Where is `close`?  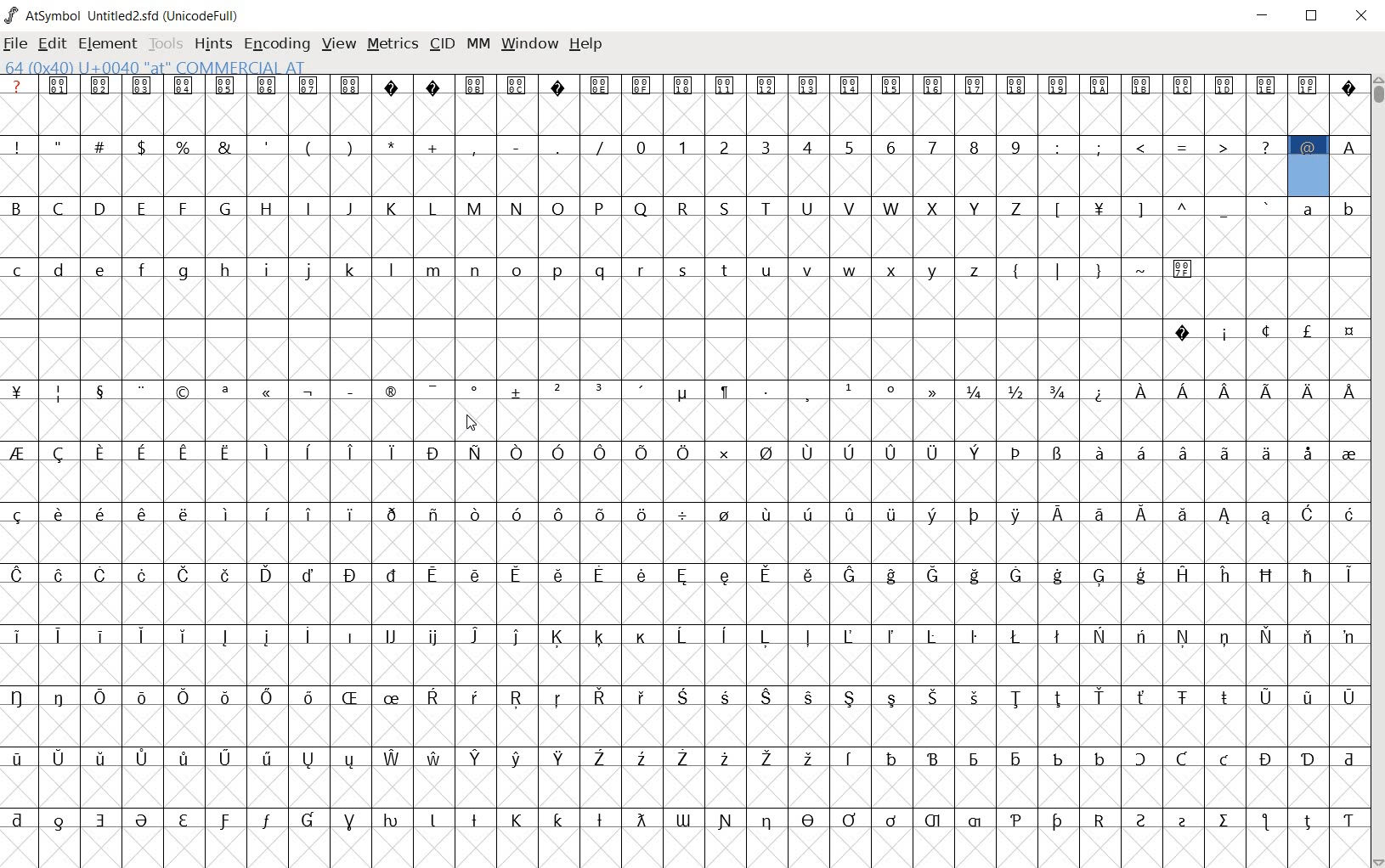
close is located at coordinates (1362, 17).